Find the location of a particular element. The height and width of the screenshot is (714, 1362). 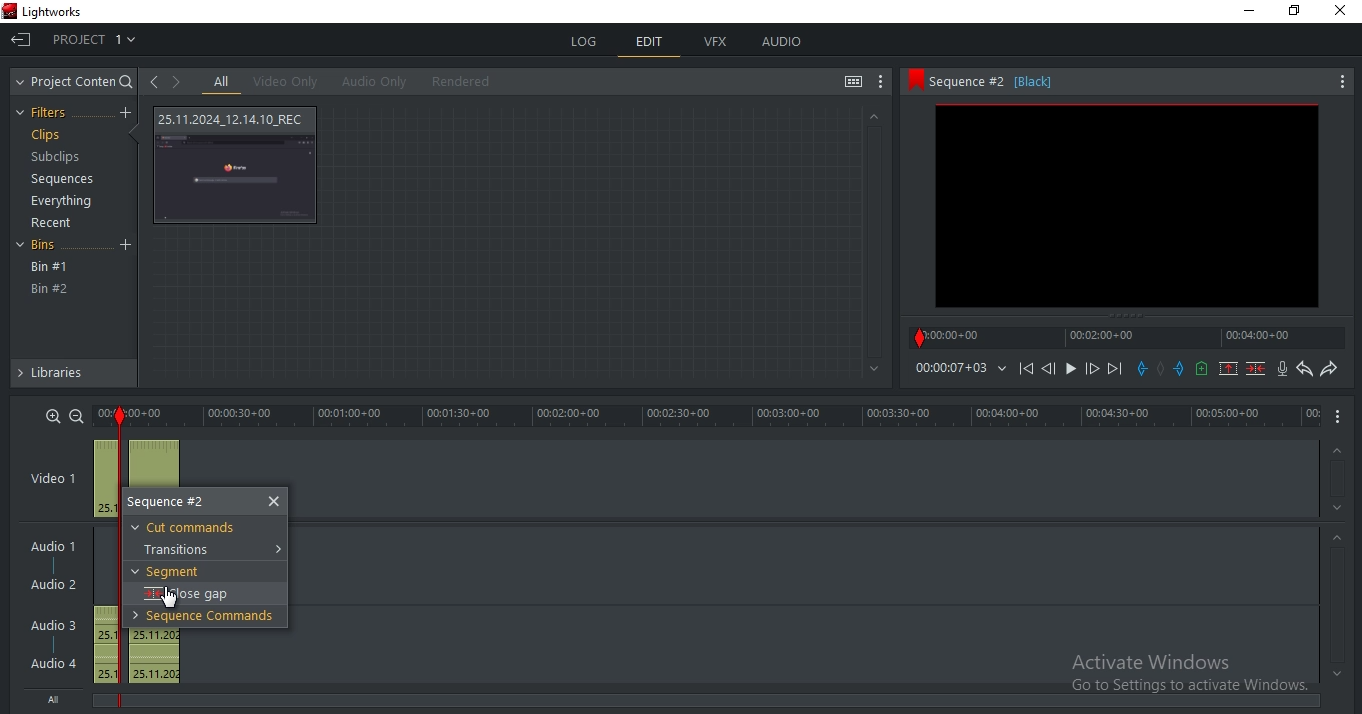

filters is located at coordinates (47, 113).